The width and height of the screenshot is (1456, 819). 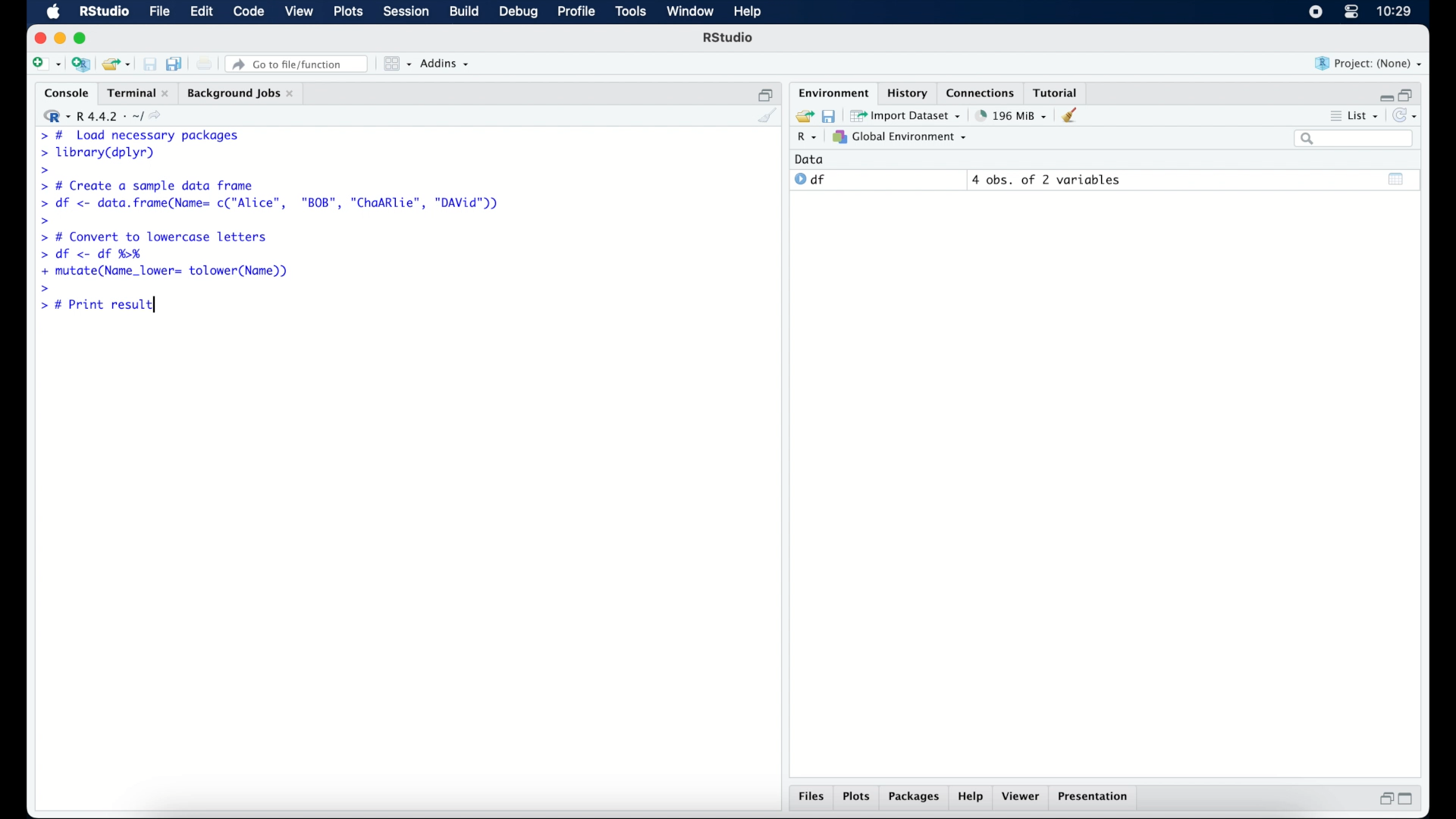 What do you see at coordinates (982, 92) in the screenshot?
I see `connections` at bounding box center [982, 92].